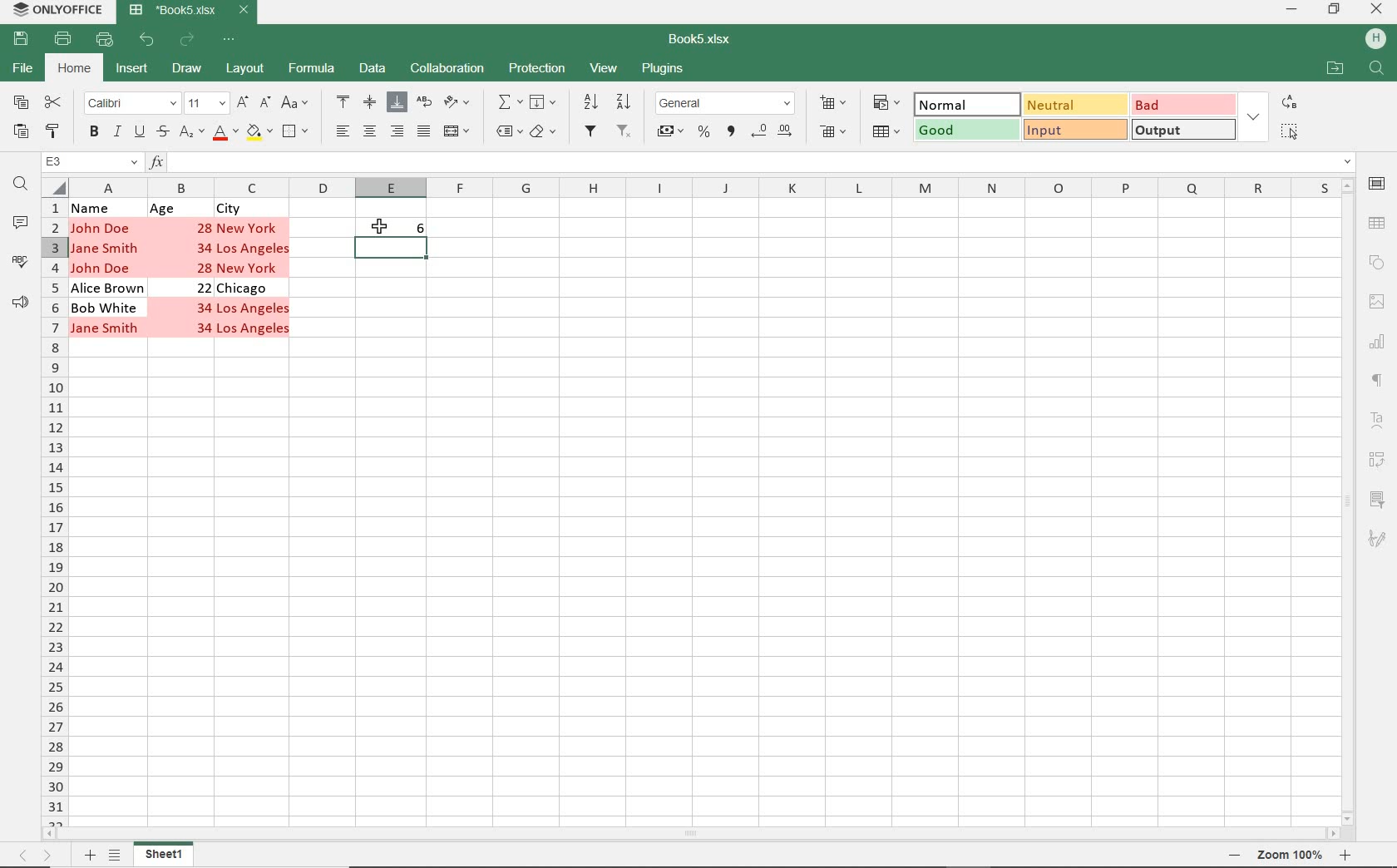  I want to click on NAMED RANGES, so click(507, 133).